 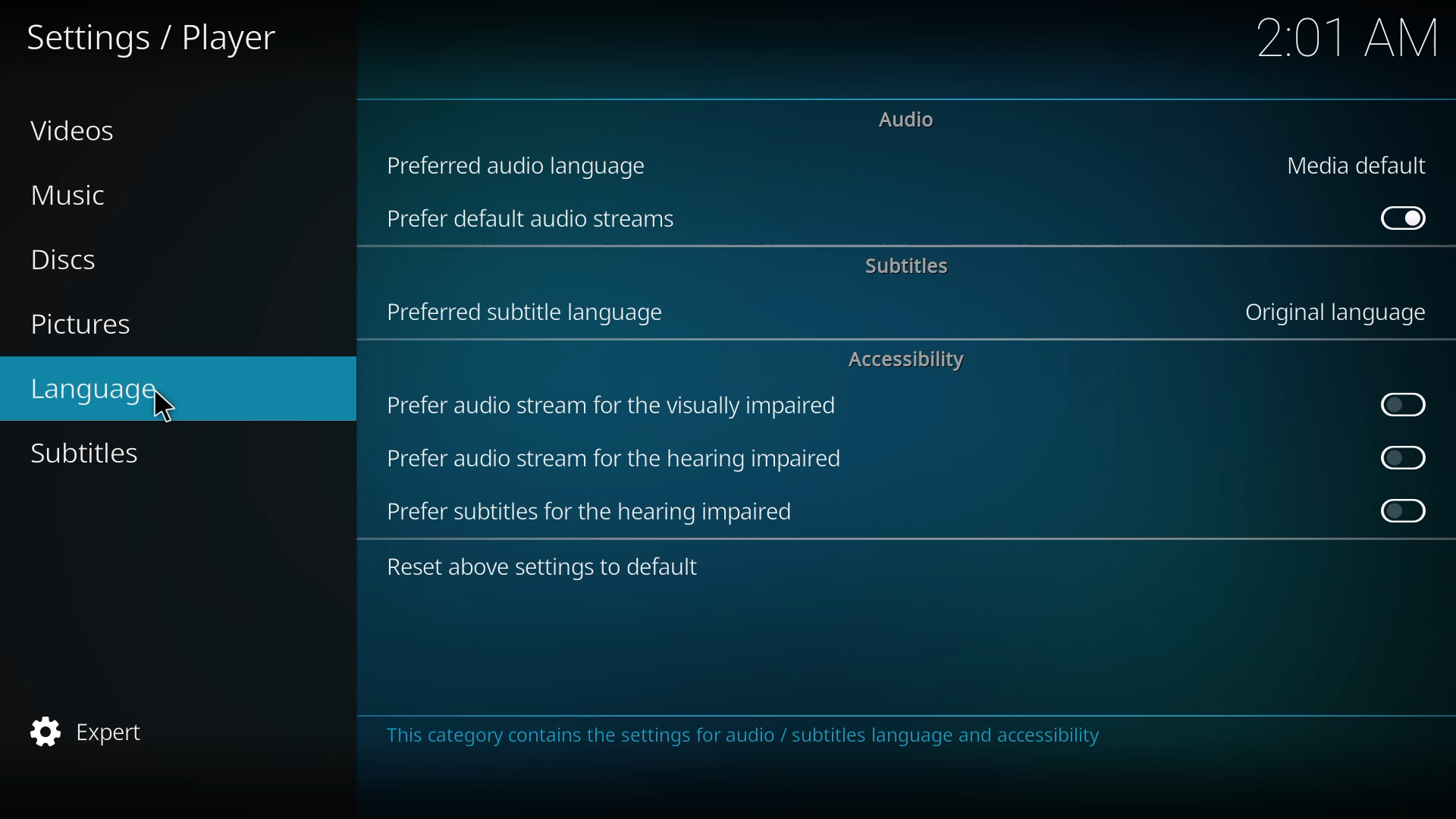 What do you see at coordinates (906, 266) in the screenshot?
I see `subtitles` at bounding box center [906, 266].